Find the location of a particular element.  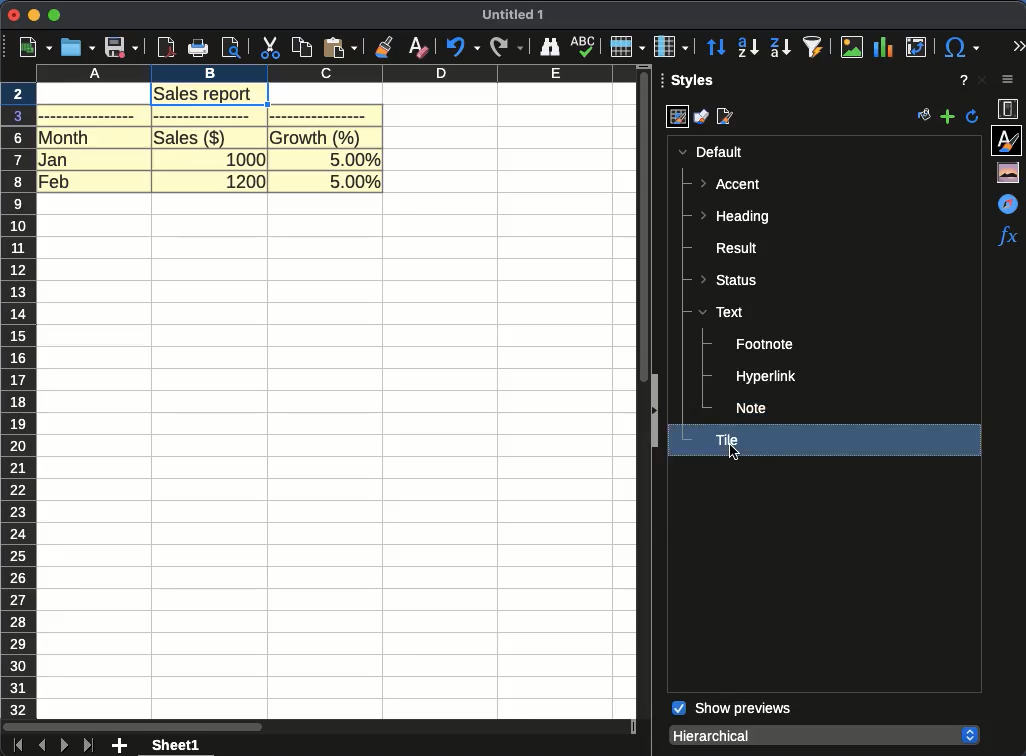

previous sheet is located at coordinates (42, 746).